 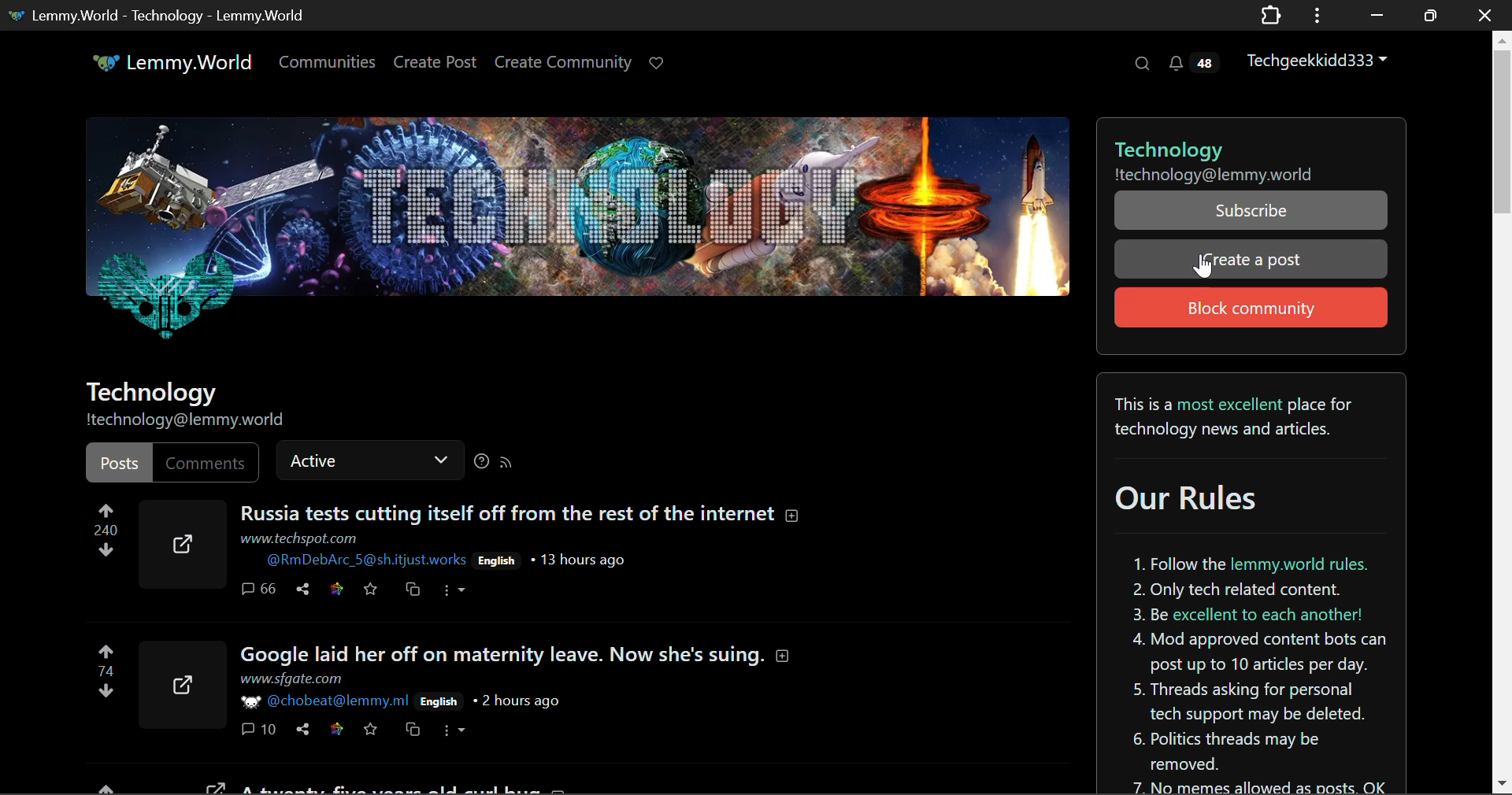 What do you see at coordinates (325, 701) in the screenshot?
I see `@chobeat@lemmy.ml` at bounding box center [325, 701].